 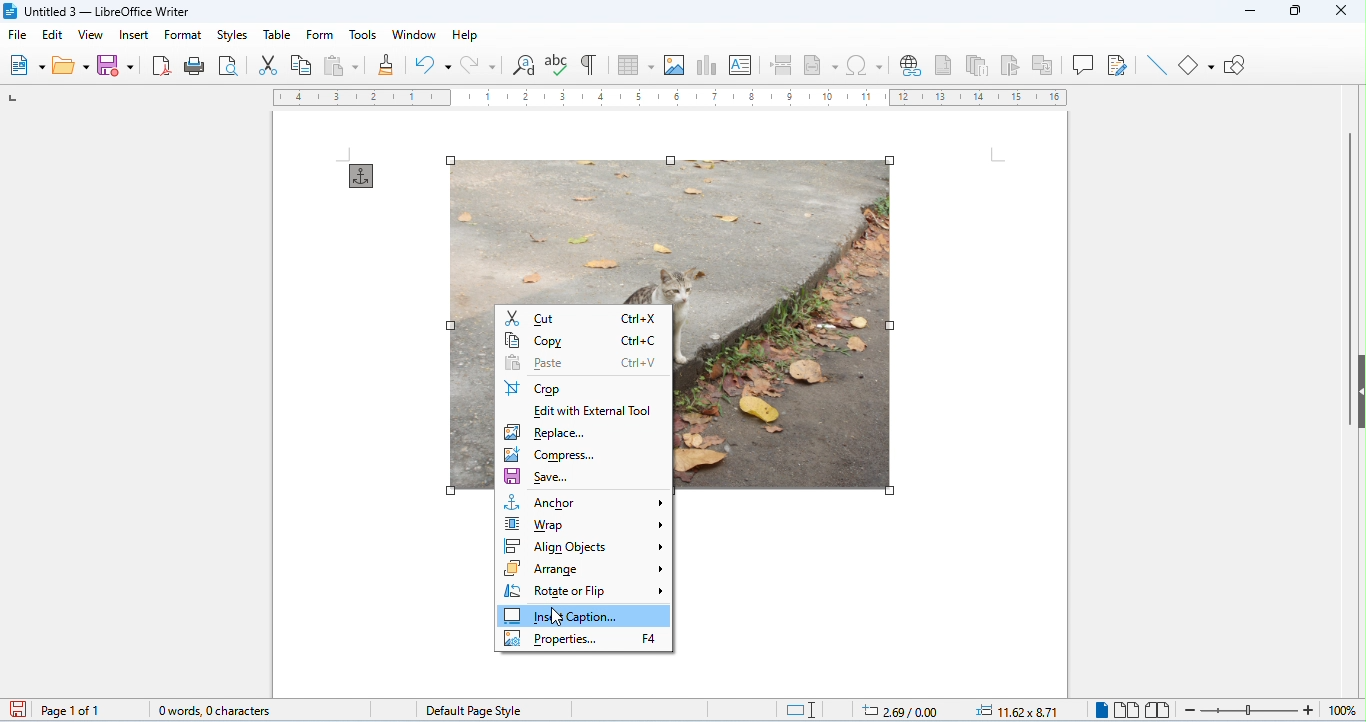 What do you see at coordinates (1347, 276) in the screenshot?
I see `vertical scroll bar` at bounding box center [1347, 276].